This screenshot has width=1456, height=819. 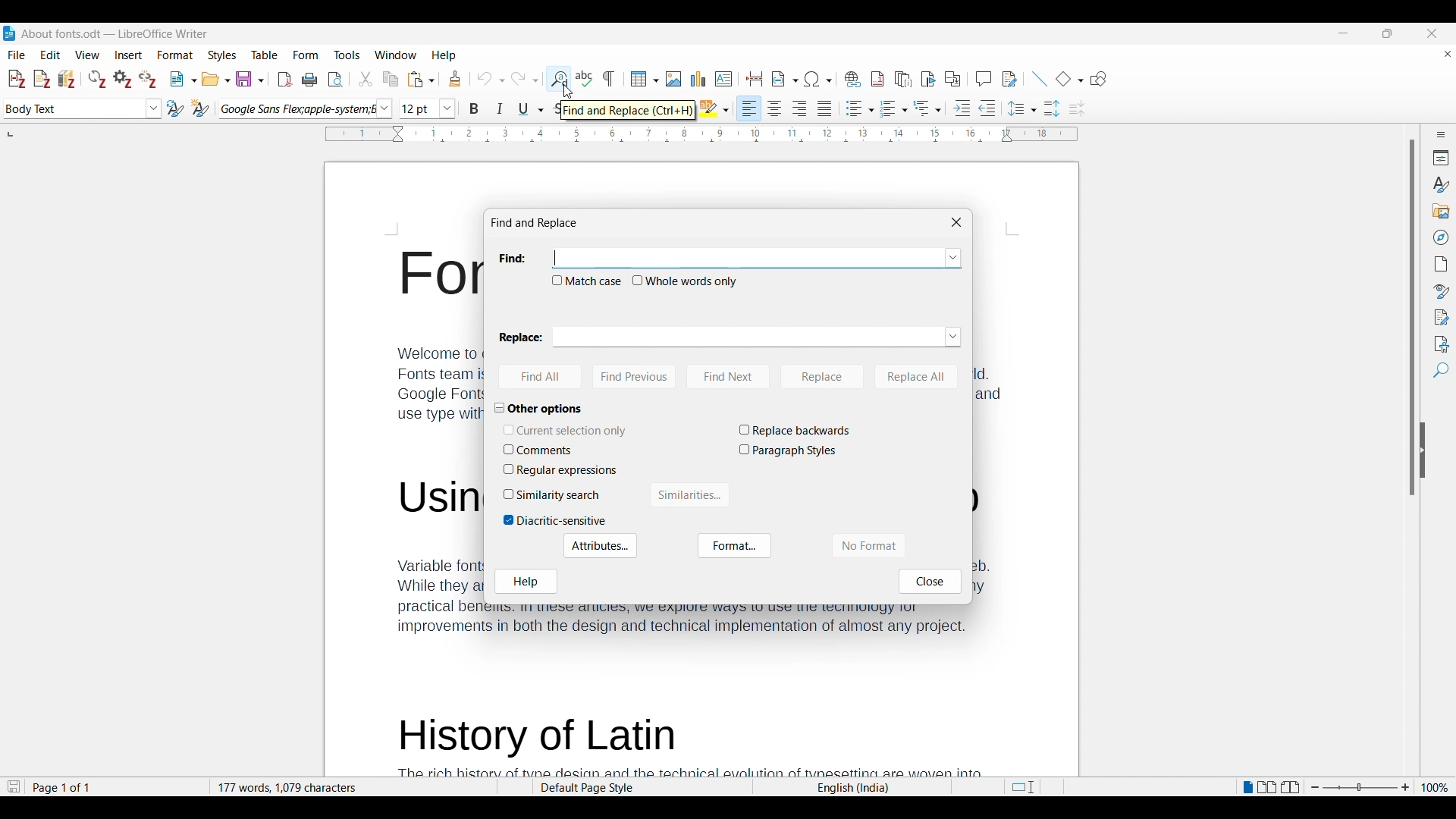 What do you see at coordinates (1432, 33) in the screenshot?
I see `Close interface` at bounding box center [1432, 33].